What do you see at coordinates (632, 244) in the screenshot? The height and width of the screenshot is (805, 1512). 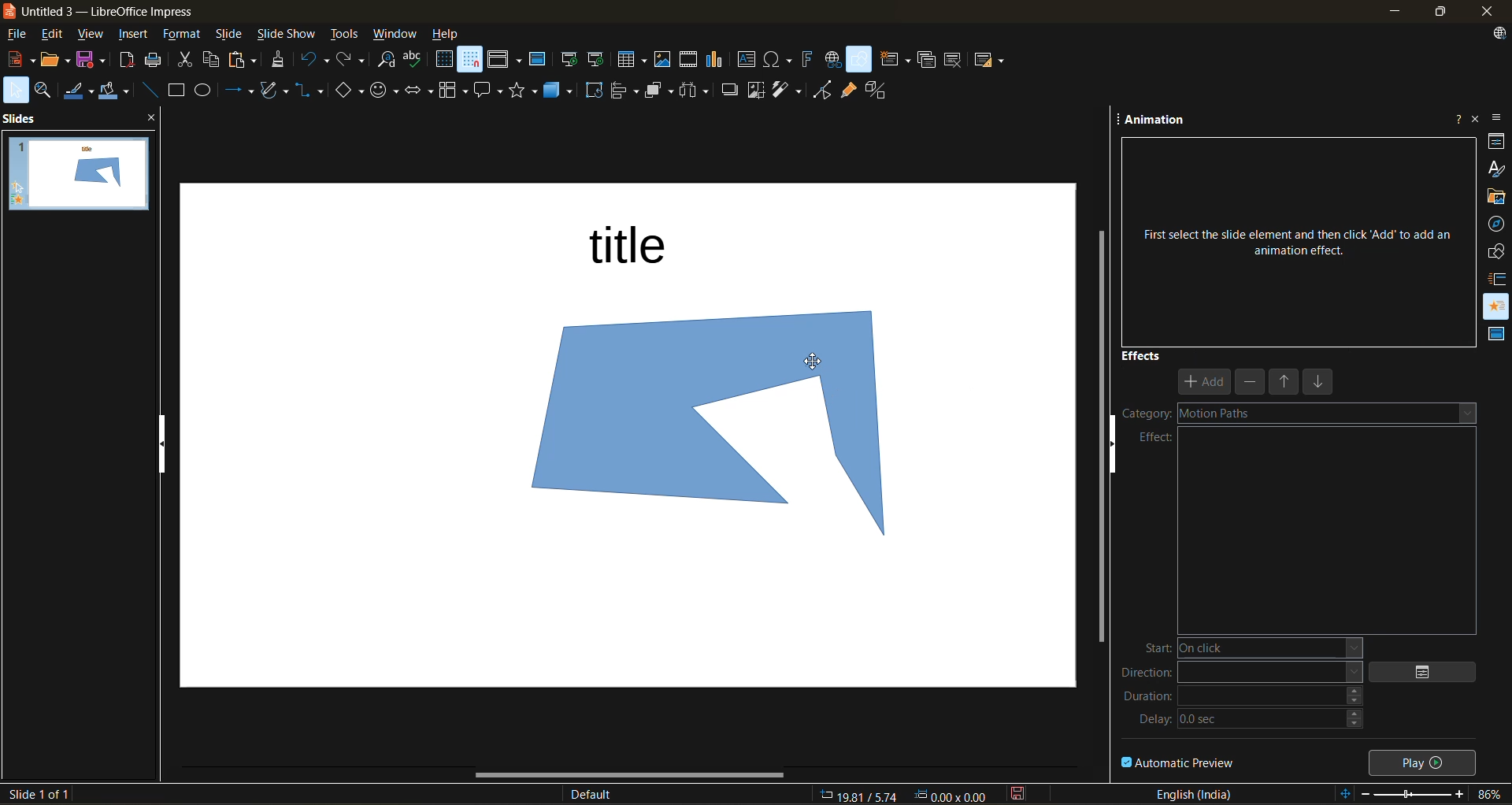 I see `title` at bounding box center [632, 244].